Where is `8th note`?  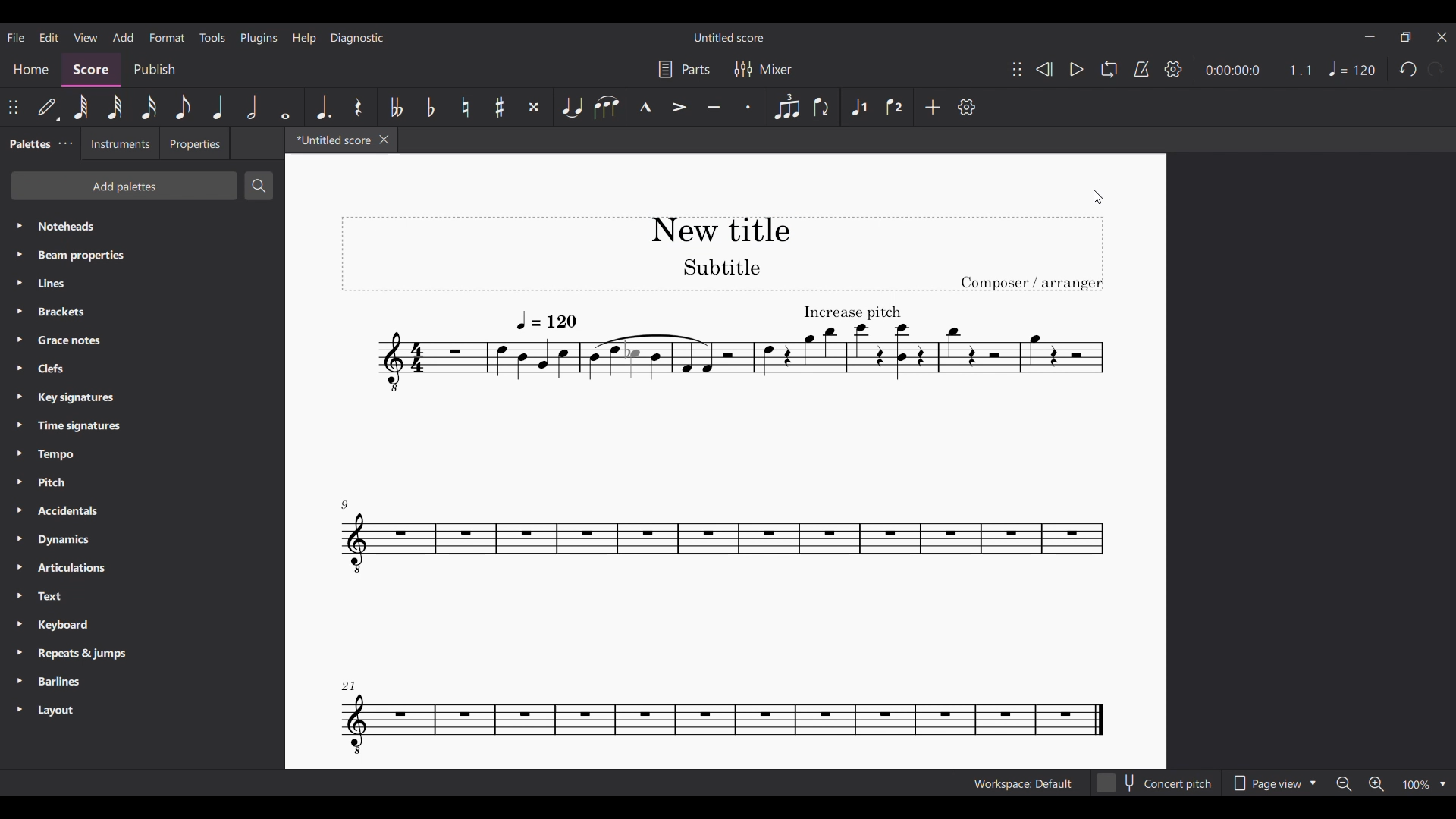 8th note is located at coordinates (182, 107).